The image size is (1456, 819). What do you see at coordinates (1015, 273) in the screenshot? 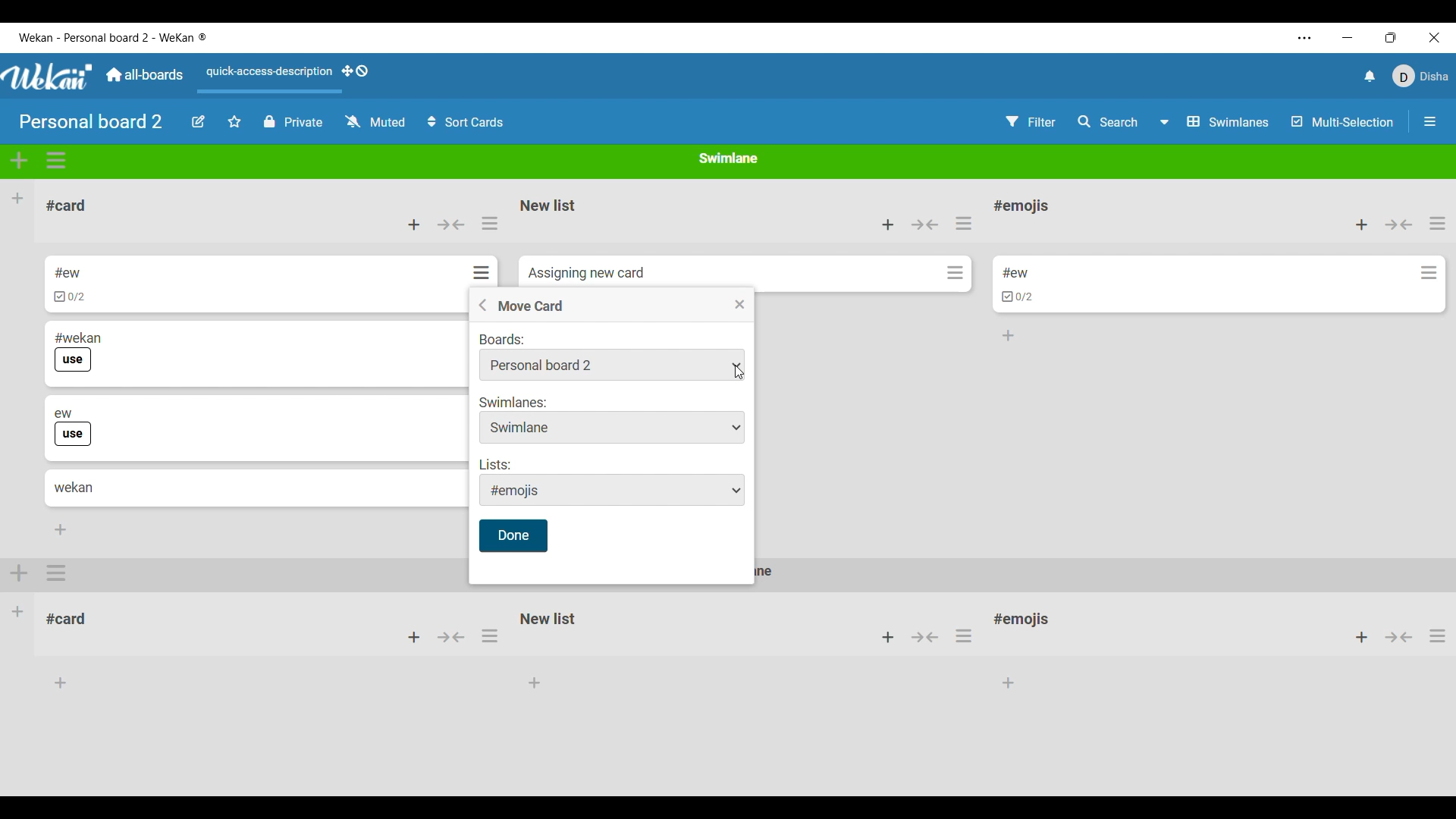
I see `Card name` at bounding box center [1015, 273].